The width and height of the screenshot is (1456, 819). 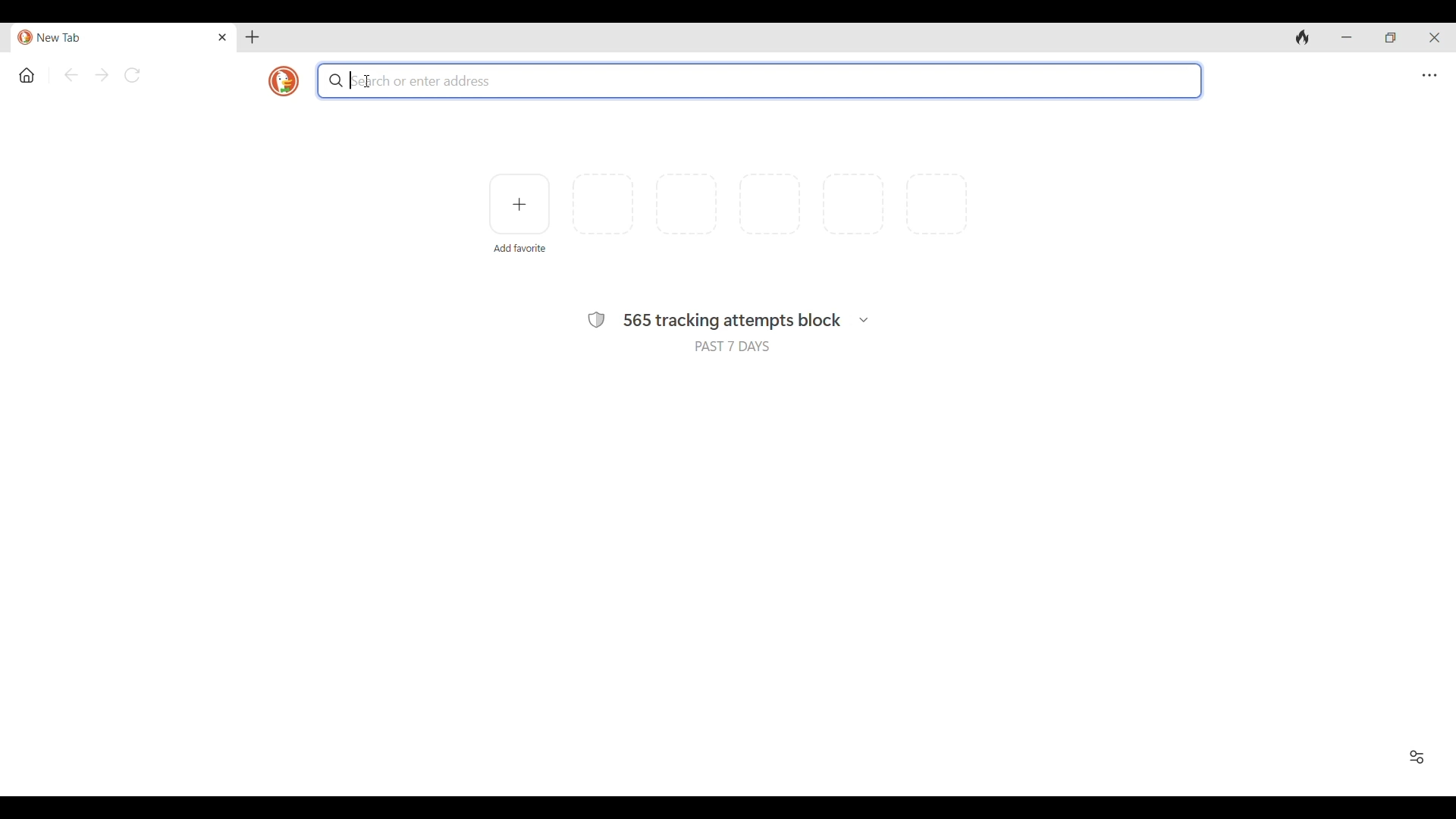 I want to click on Minimize, so click(x=1346, y=37).